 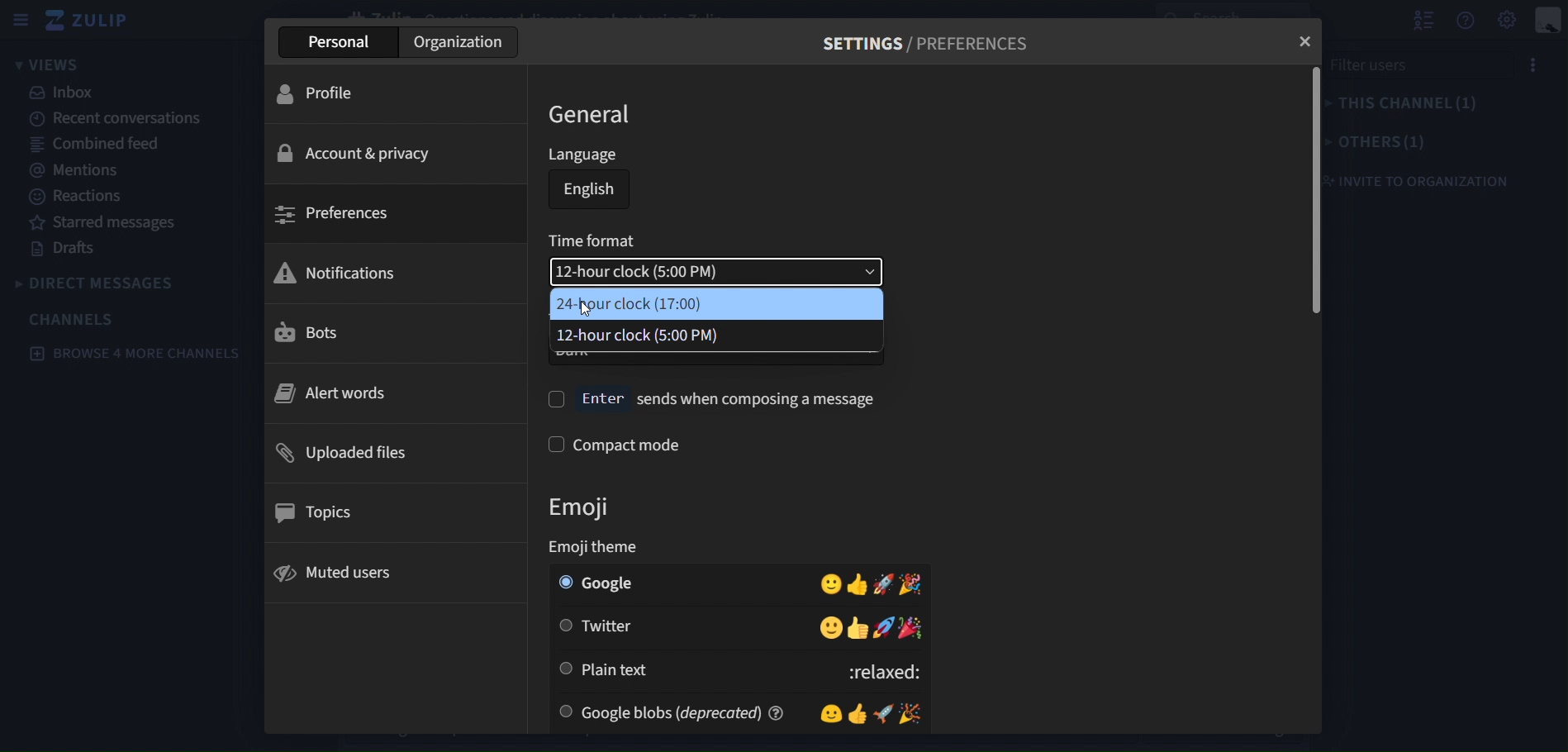 I want to click on google, so click(x=599, y=584).